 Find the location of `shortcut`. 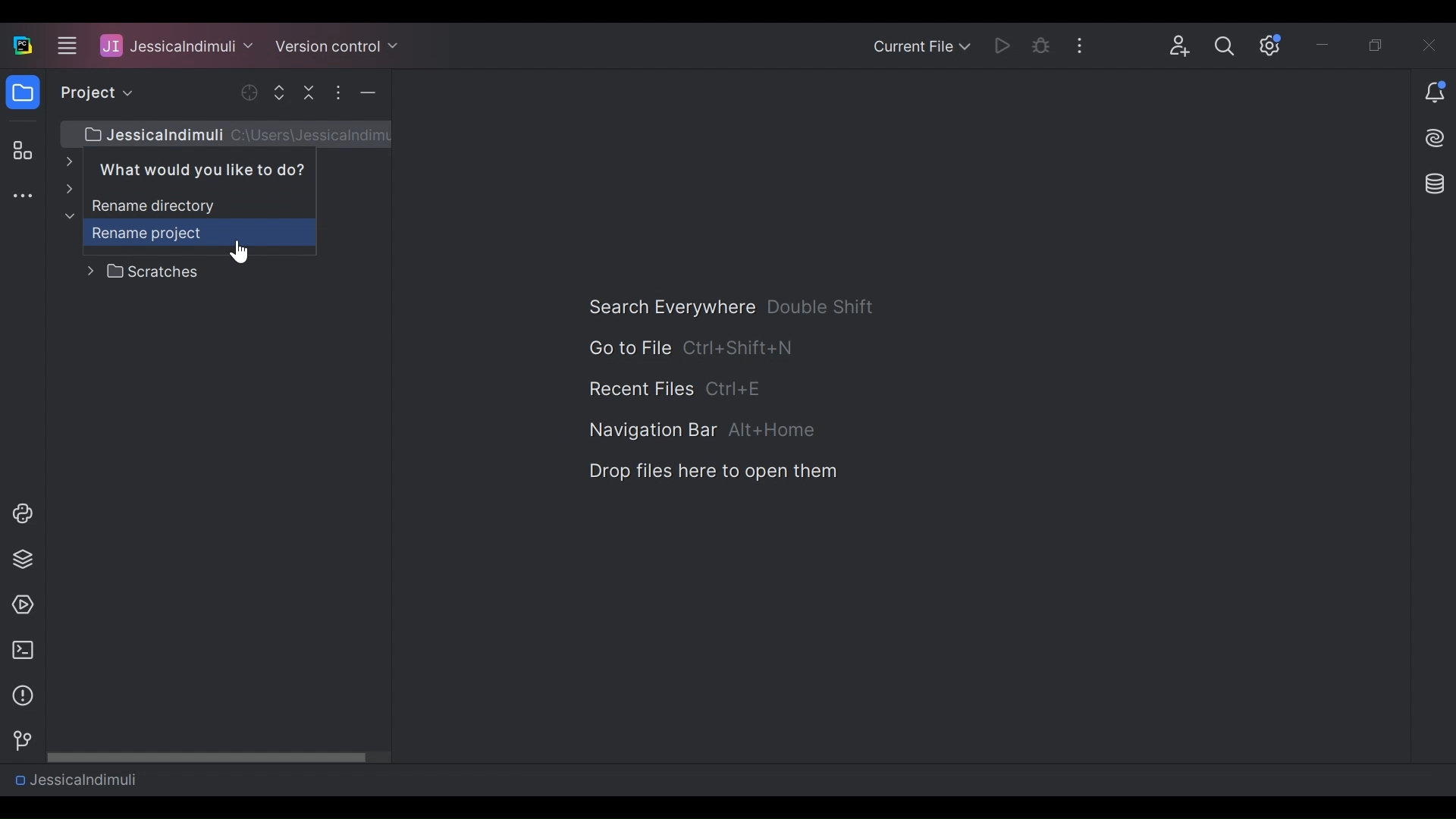

shortcut is located at coordinates (822, 306).